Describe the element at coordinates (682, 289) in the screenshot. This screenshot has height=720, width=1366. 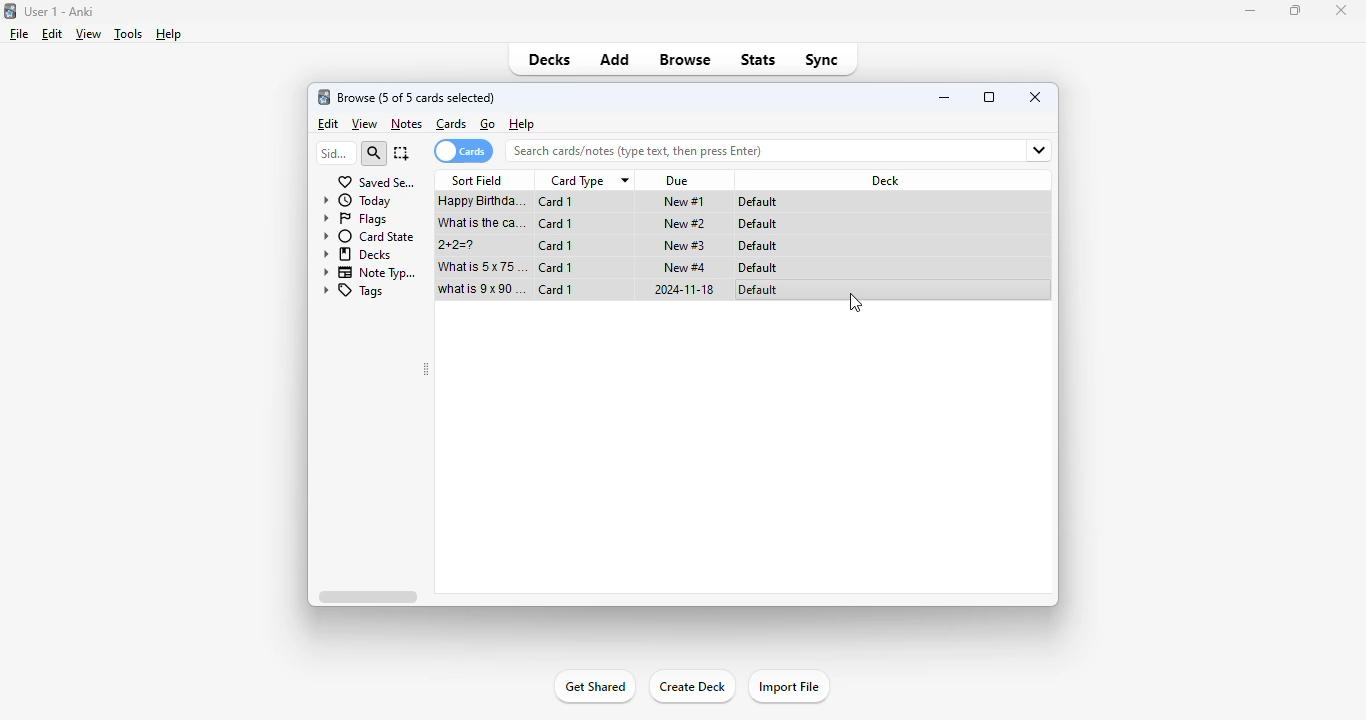
I see `2024-11-18` at that location.